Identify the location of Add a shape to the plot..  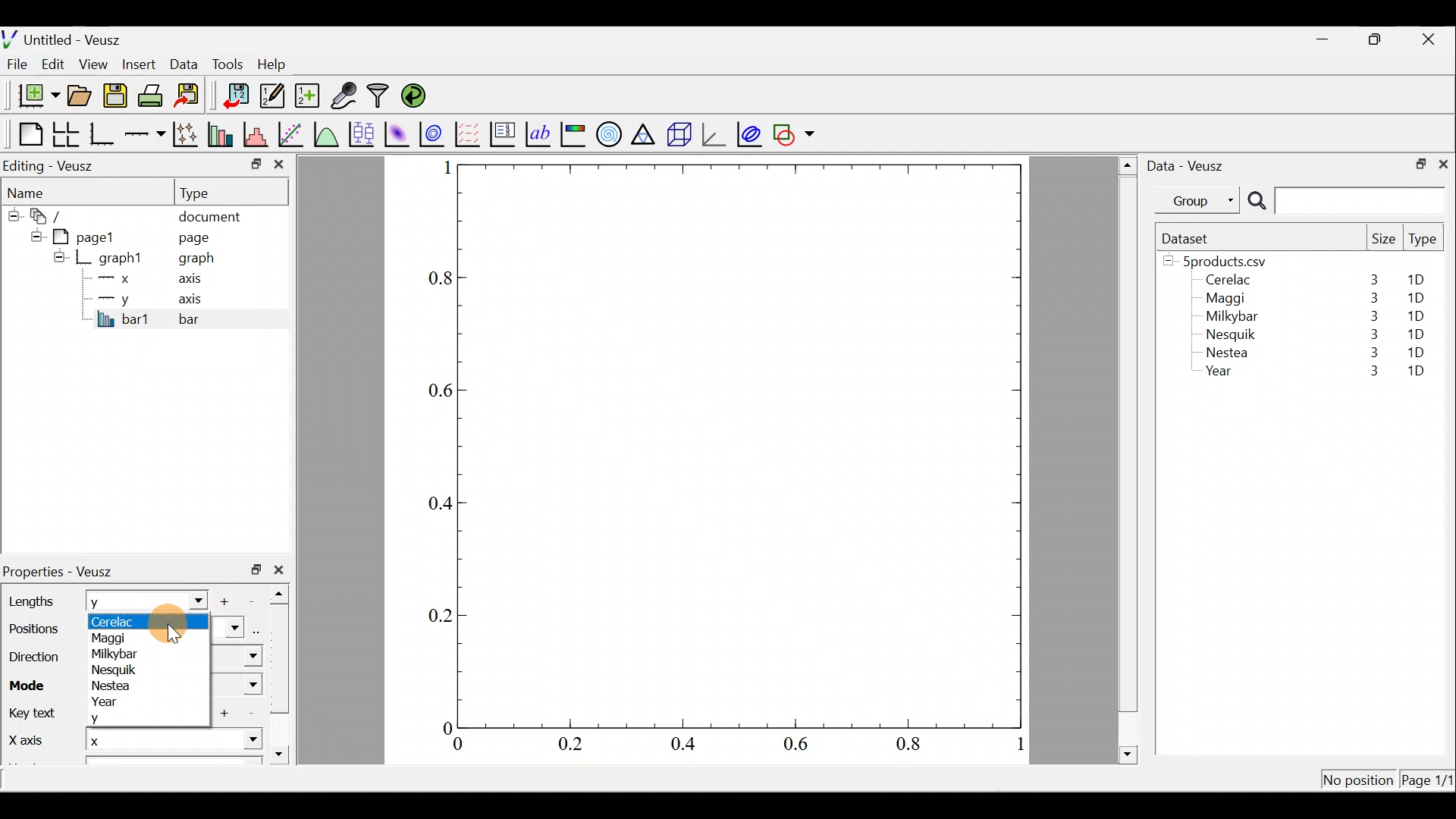
(795, 132).